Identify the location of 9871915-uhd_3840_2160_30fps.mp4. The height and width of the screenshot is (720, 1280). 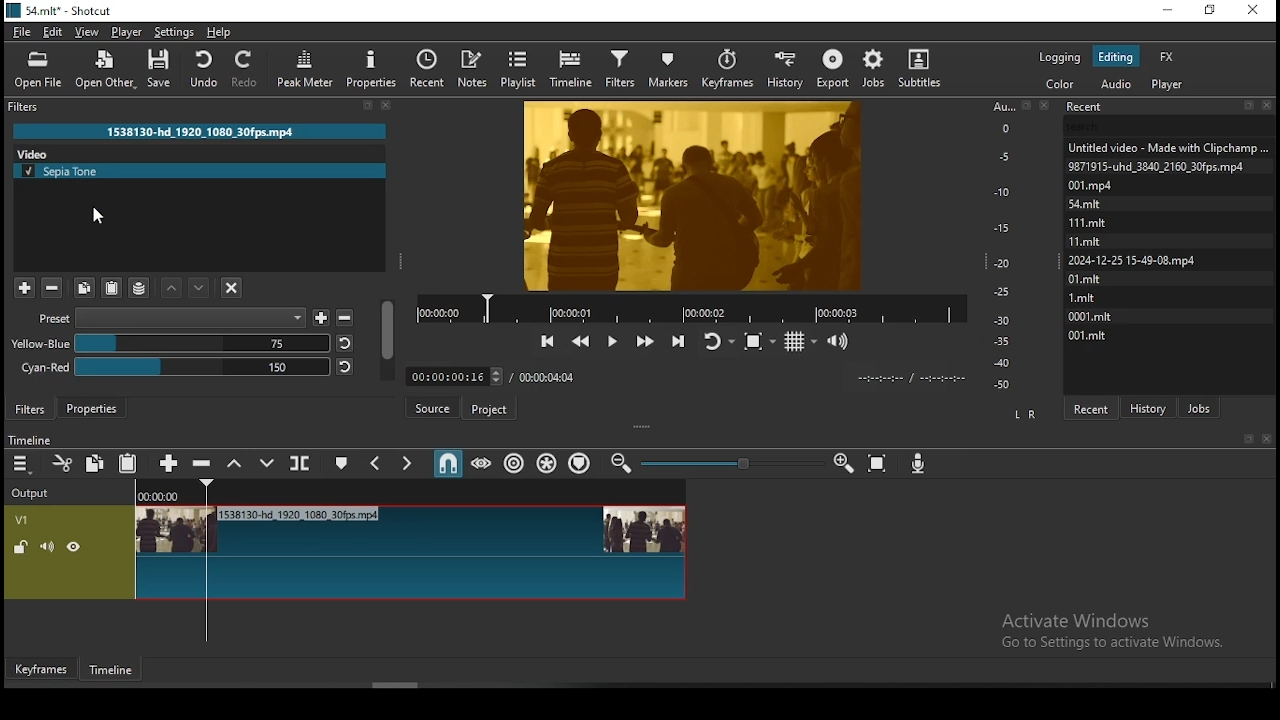
(1158, 165).